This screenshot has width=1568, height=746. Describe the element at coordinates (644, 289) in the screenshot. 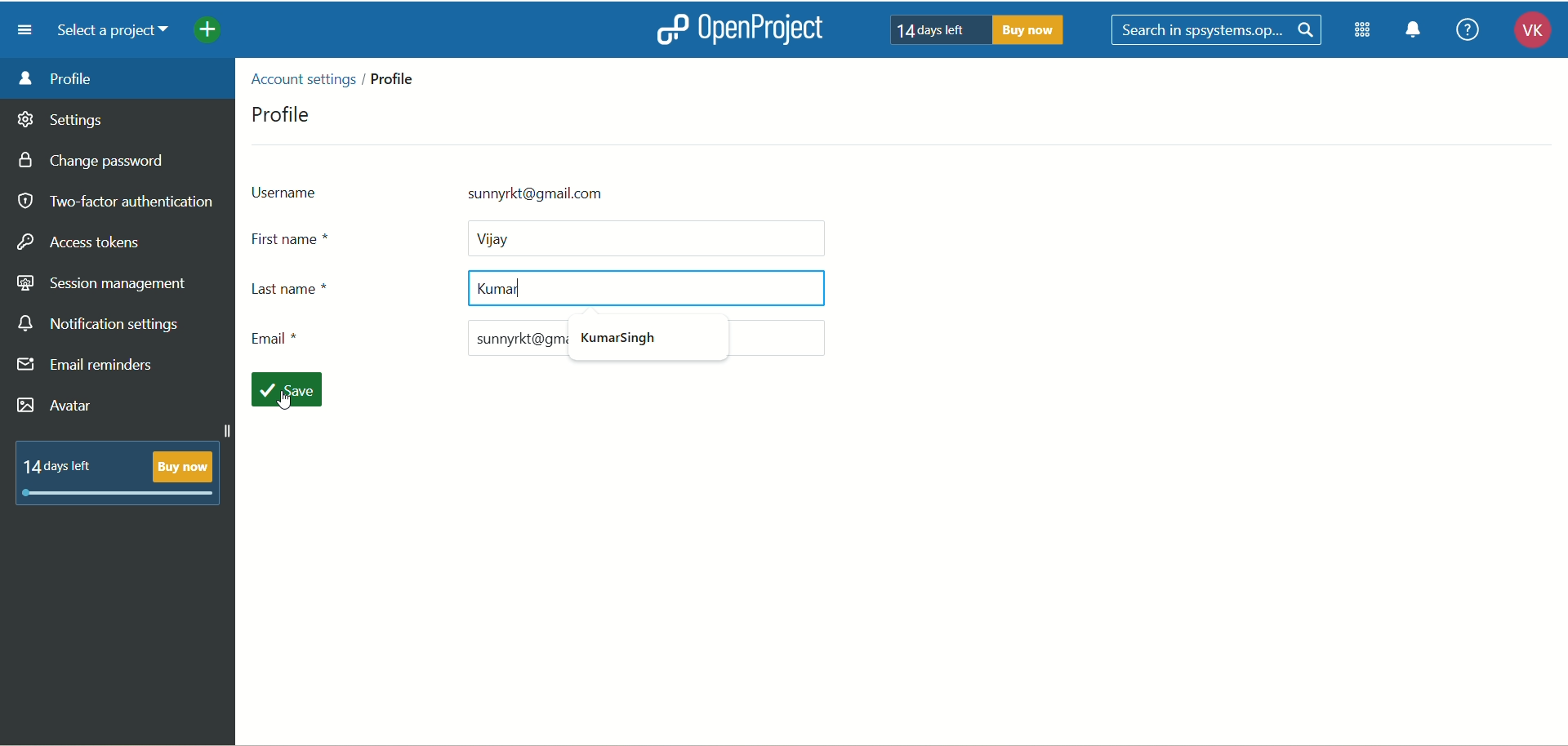

I see `last name edited` at that location.